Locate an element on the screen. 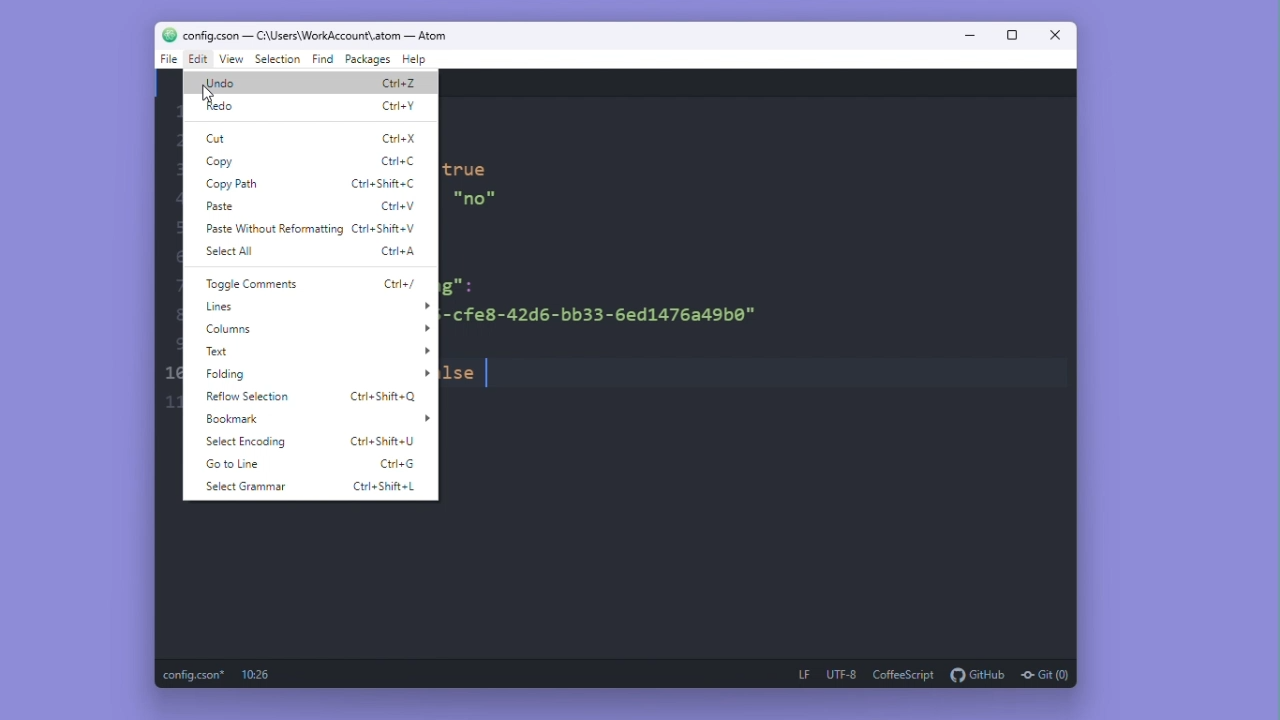 Image resolution: width=1280 pixels, height=720 pixels. file is located at coordinates (167, 61).